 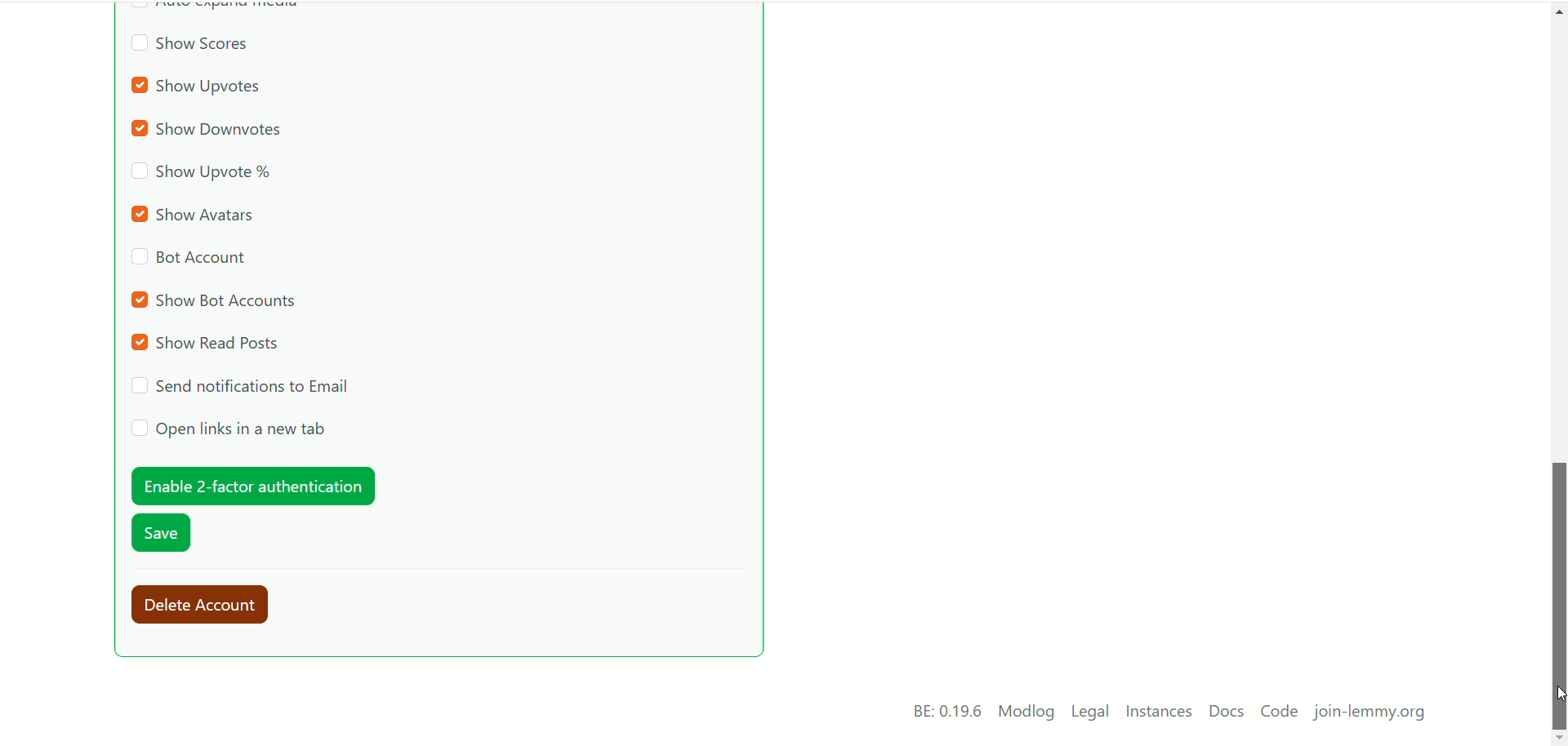 I want to click on show avatars, so click(x=198, y=214).